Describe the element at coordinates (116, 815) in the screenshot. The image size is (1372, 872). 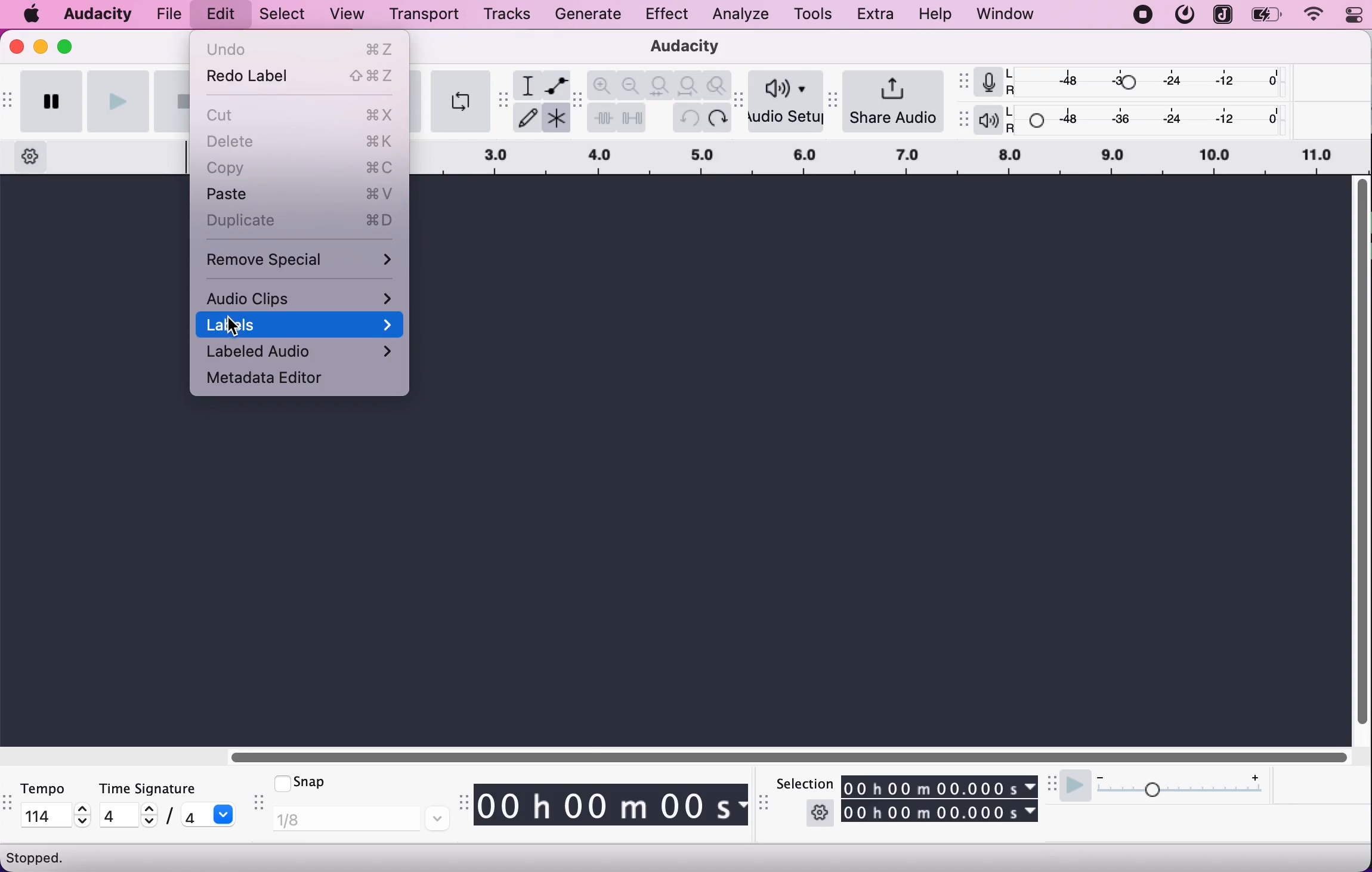
I see `4` at that location.